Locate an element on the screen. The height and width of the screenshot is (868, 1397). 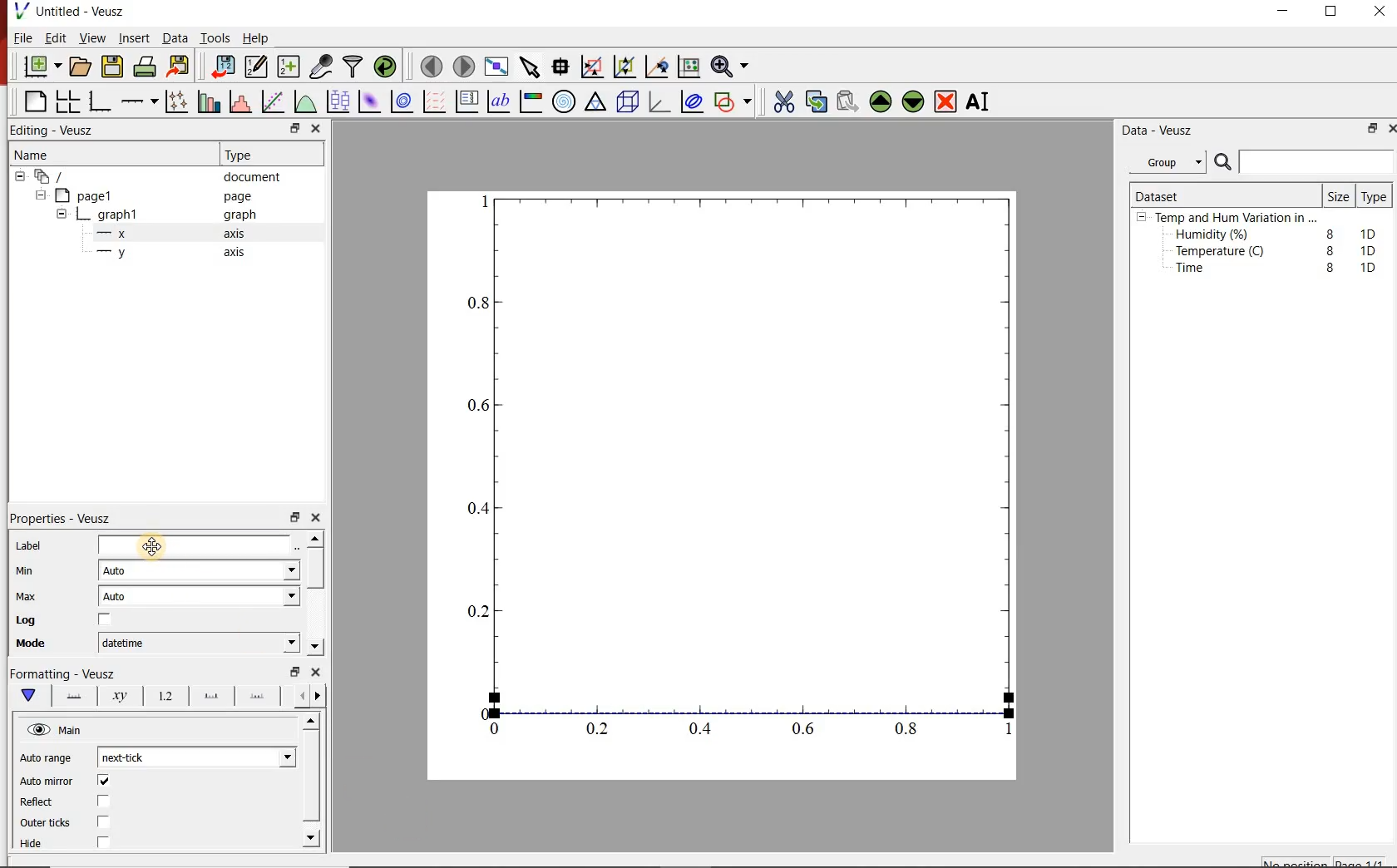
Max dropdown is located at coordinates (274, 599).